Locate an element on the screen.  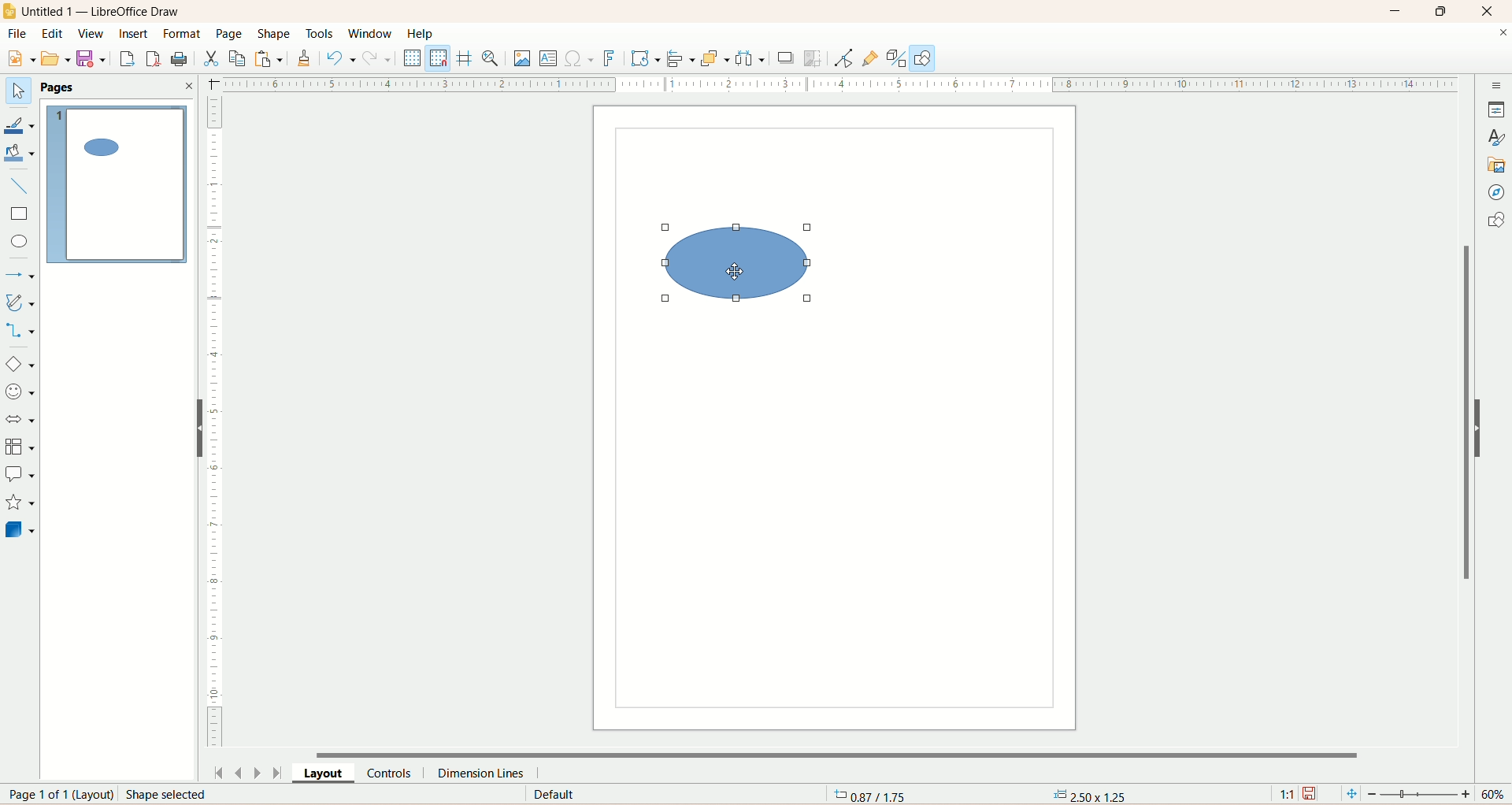
page number is located at coordinates (106, 792).